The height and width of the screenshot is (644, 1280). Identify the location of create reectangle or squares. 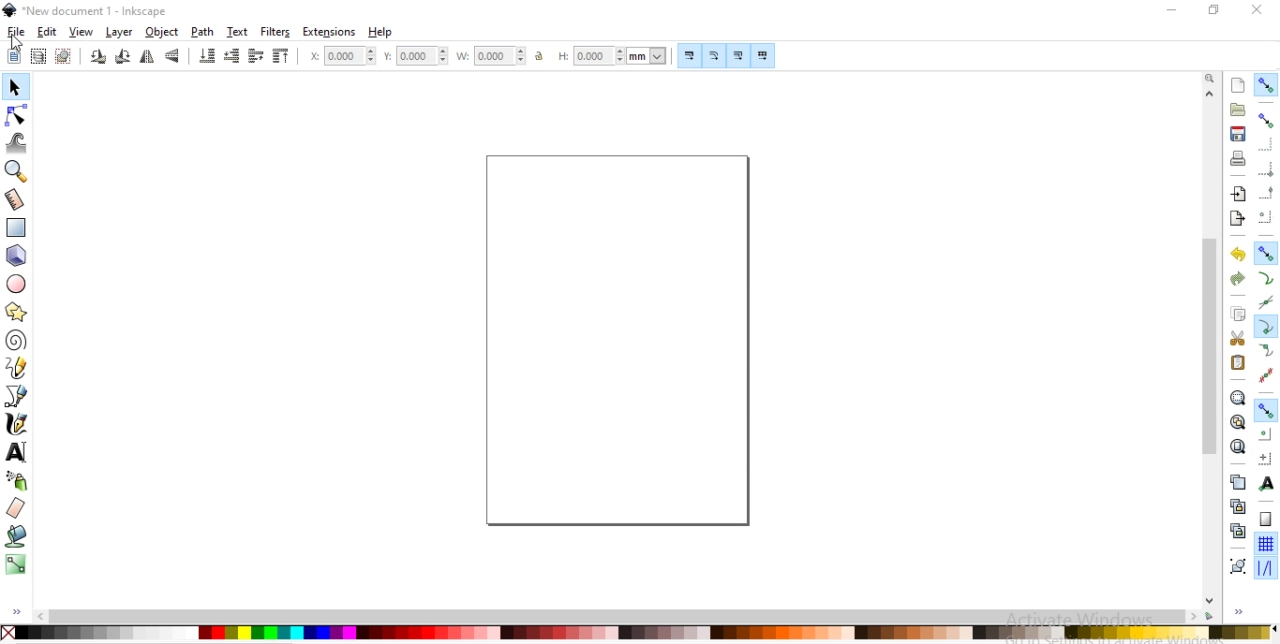
(16, 226).